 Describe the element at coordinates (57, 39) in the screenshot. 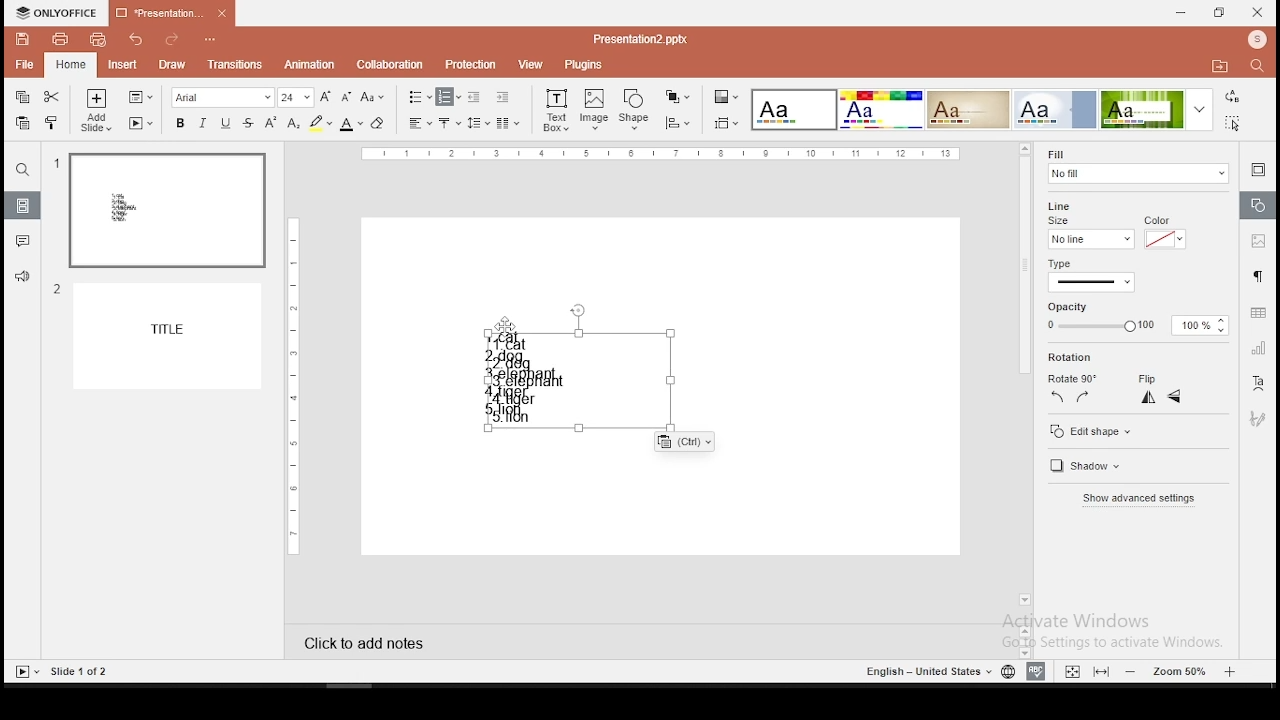

I see `print file` at that location.